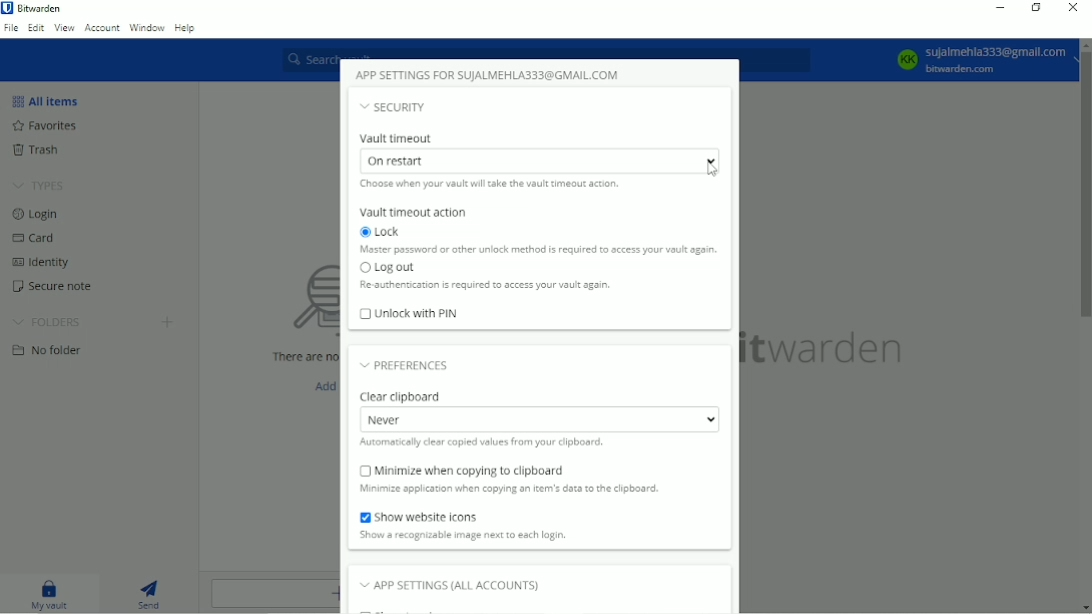 The height and width of the screenshot is (614, 1092). I want to click on KK , so click(907, 59).